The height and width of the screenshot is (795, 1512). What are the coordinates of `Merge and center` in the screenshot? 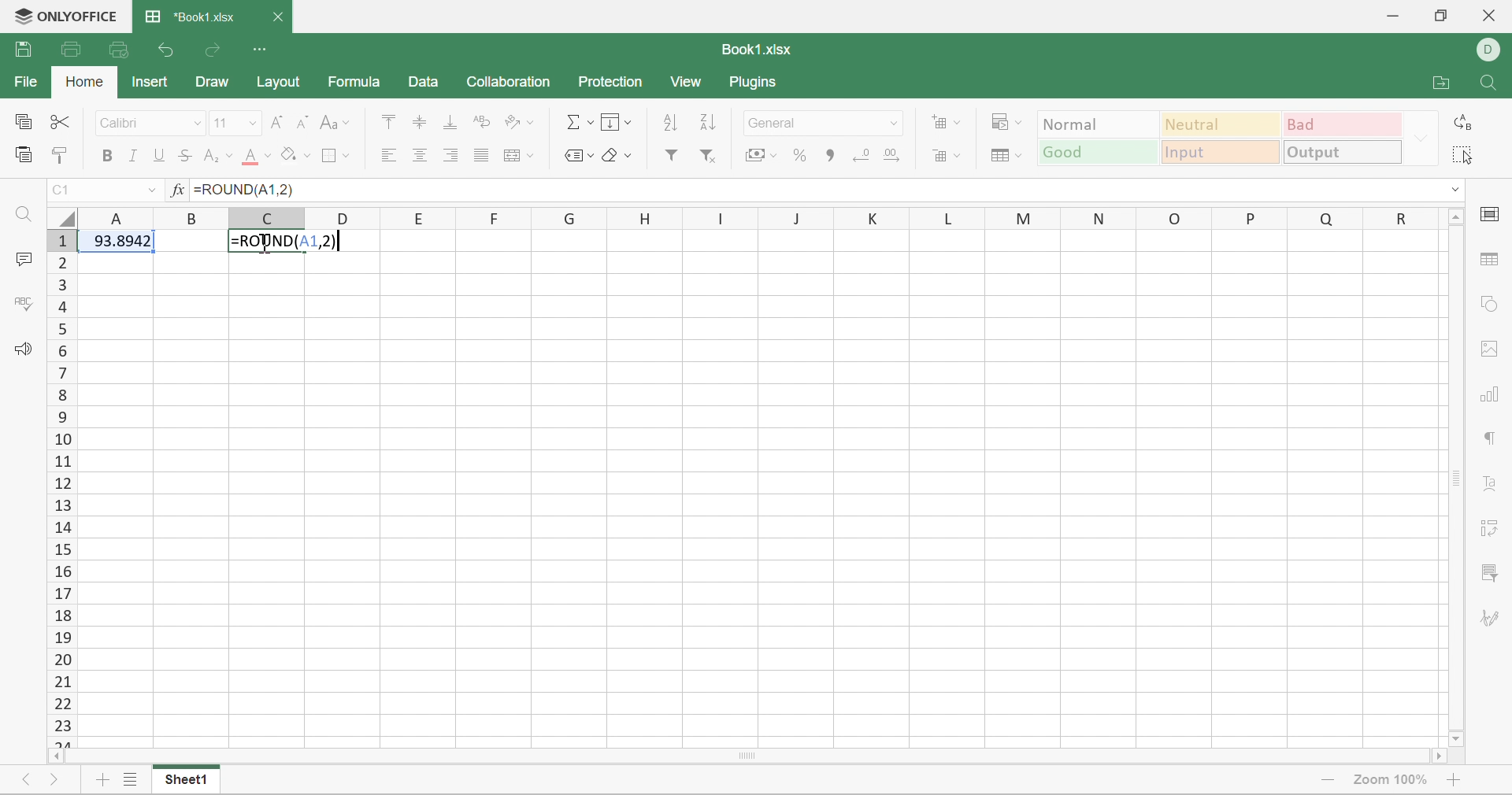 It's located at (519, 154).